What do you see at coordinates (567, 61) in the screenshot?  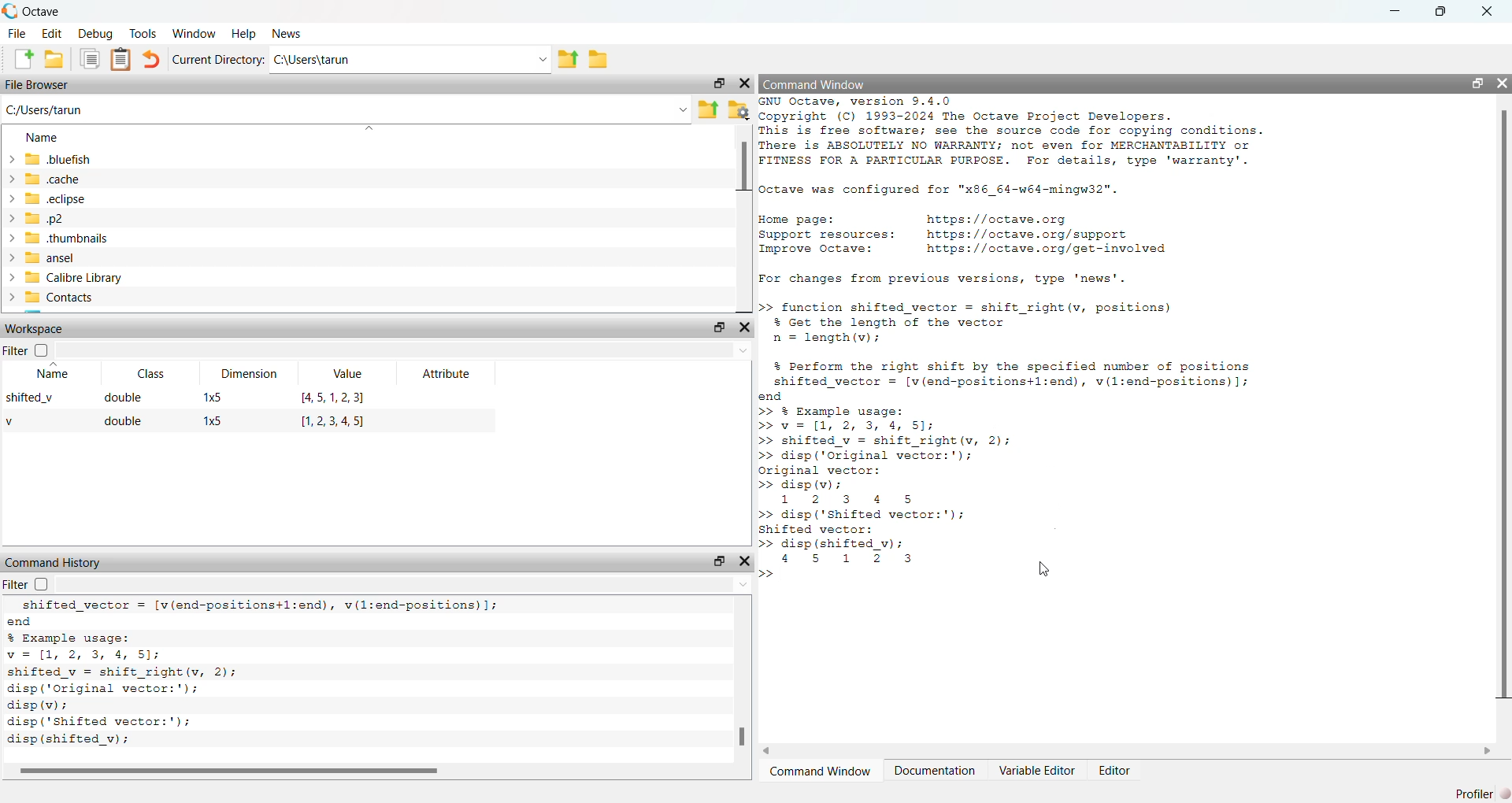 I see `one directory up` at bounding box center [567, 61].